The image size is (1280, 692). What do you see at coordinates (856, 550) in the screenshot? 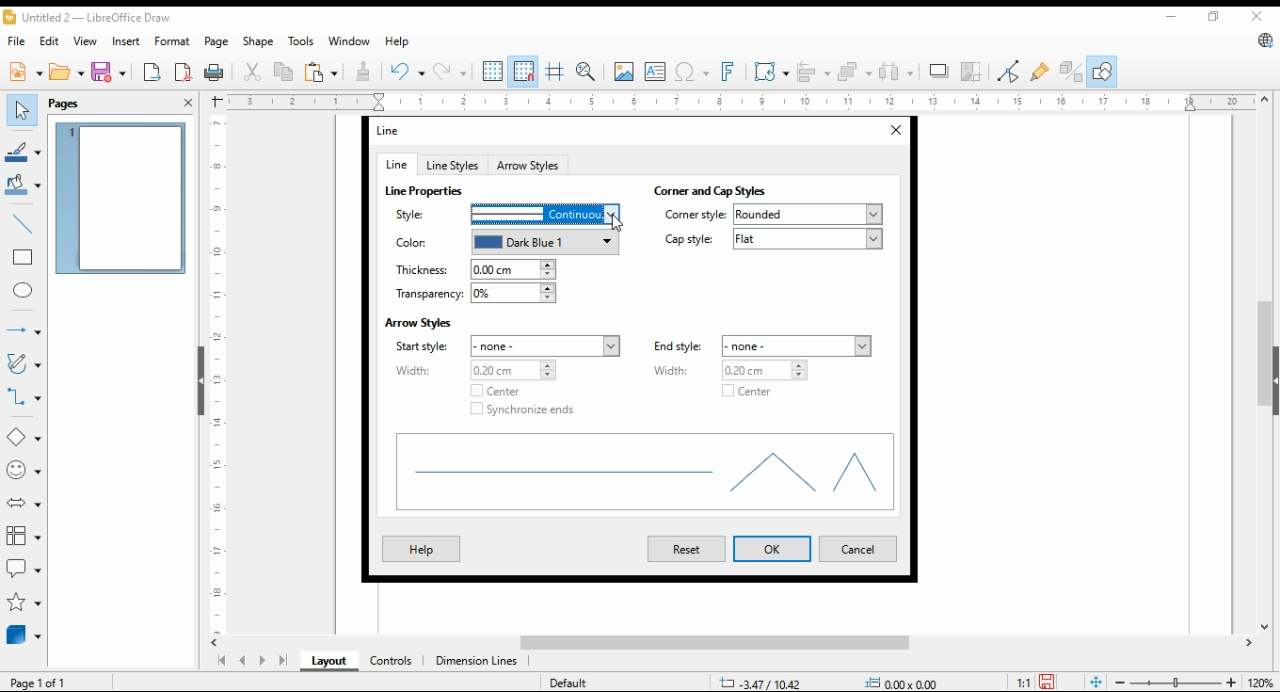
I see `cancel` at bounding box center [856, 550].